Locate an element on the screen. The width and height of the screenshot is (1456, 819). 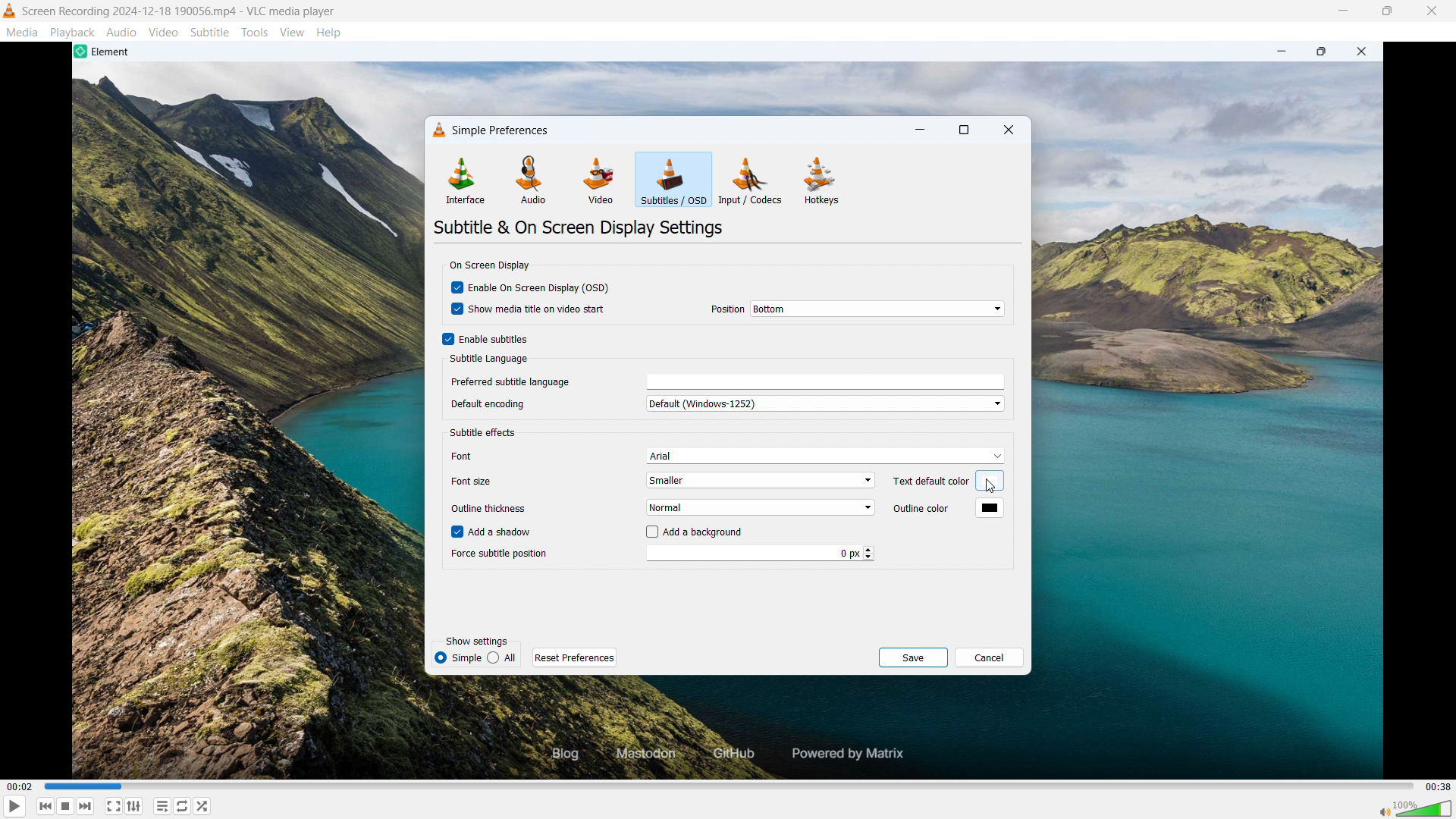
checkbox is located at coordinates (452, 531).